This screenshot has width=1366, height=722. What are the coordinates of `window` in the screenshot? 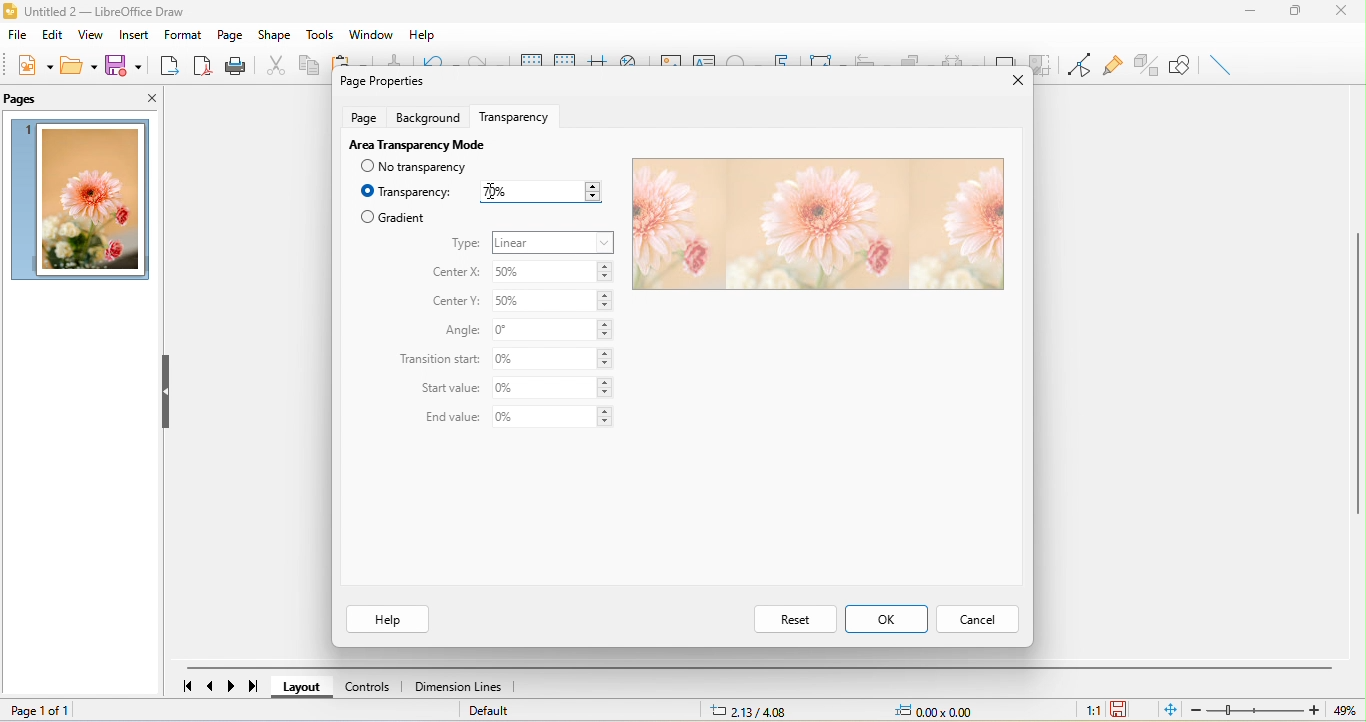 It's located at (374, 34).